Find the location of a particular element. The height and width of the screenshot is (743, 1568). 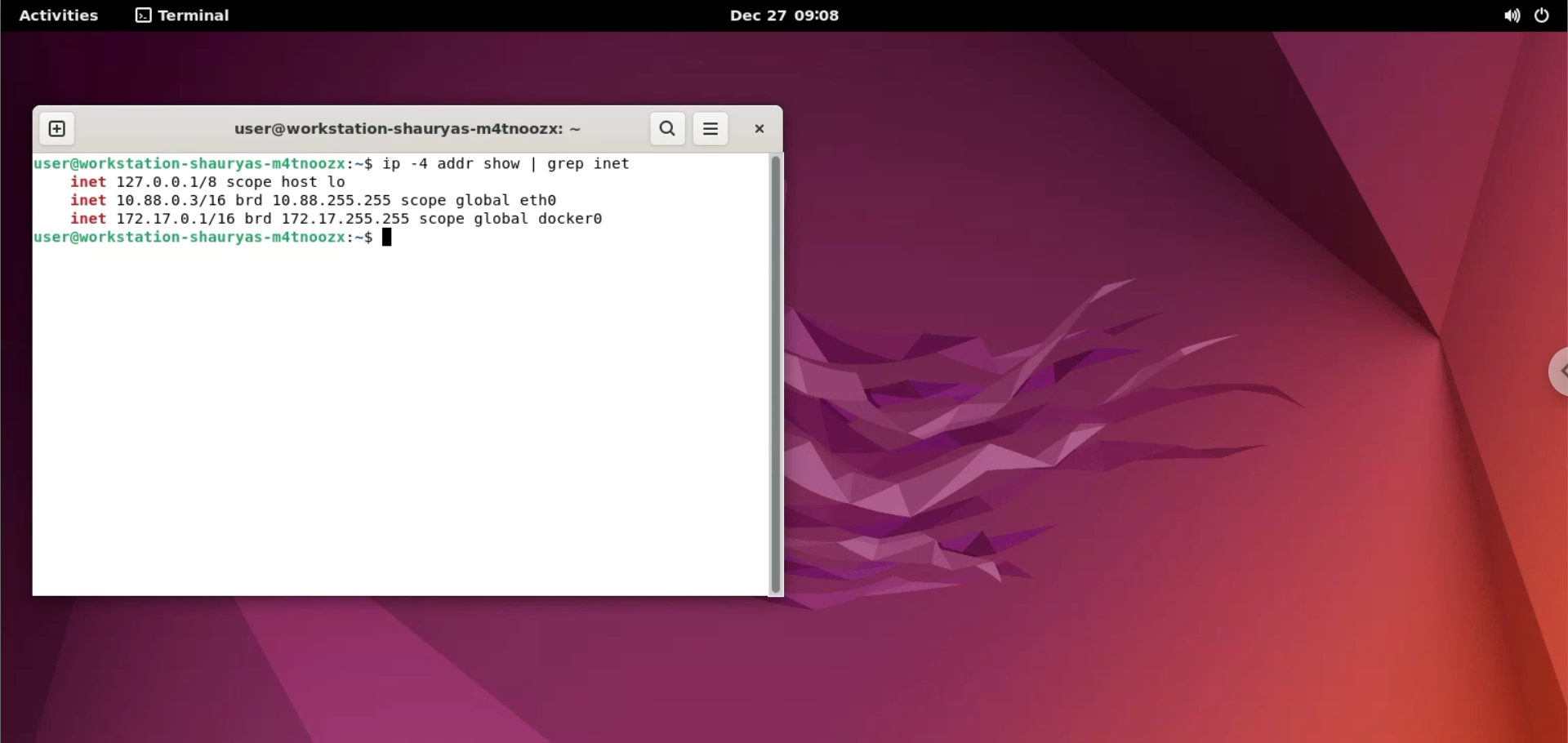

close is located at coordinates (757, 129).